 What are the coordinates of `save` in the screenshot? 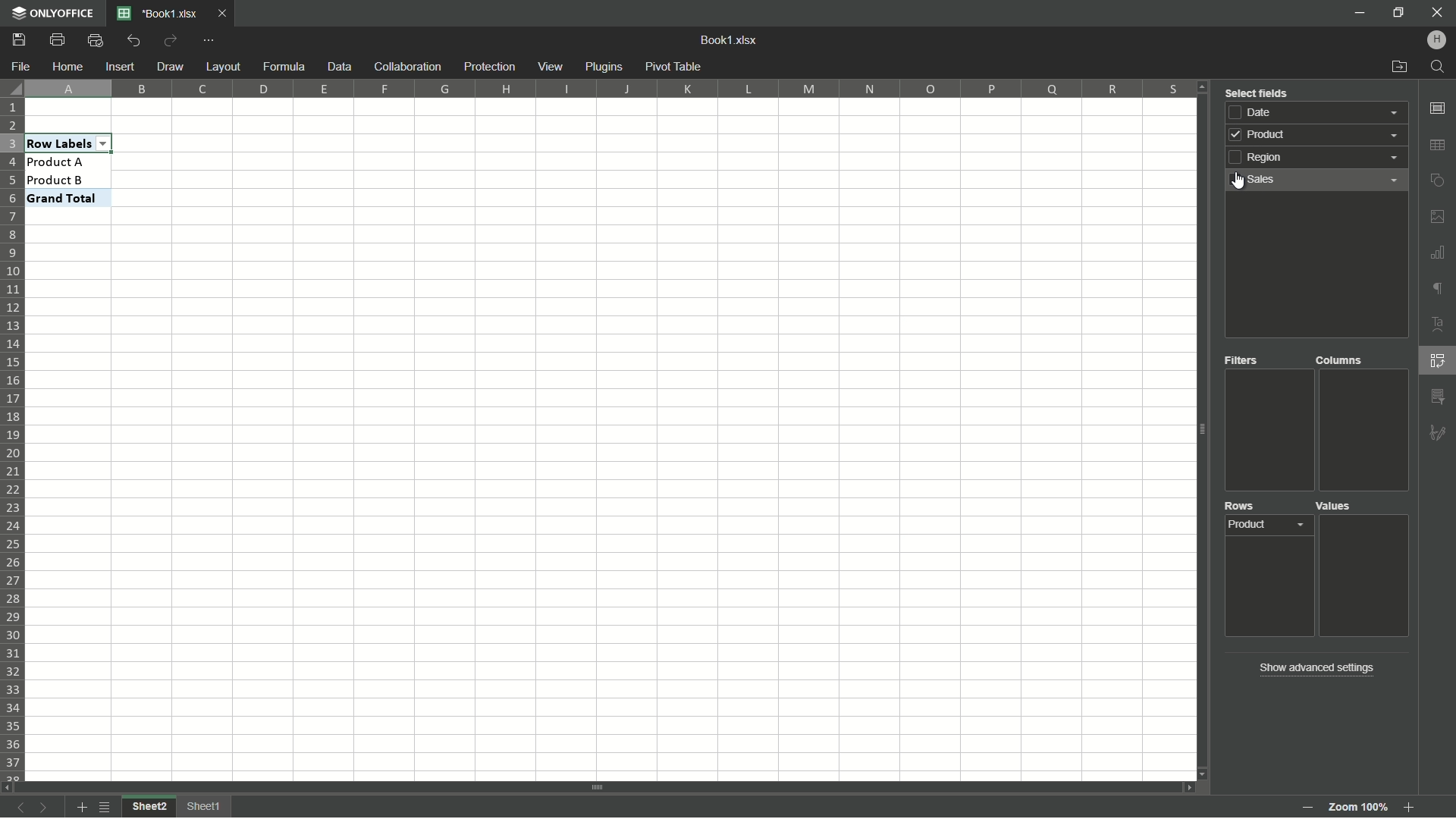 It's located at (20, 41).